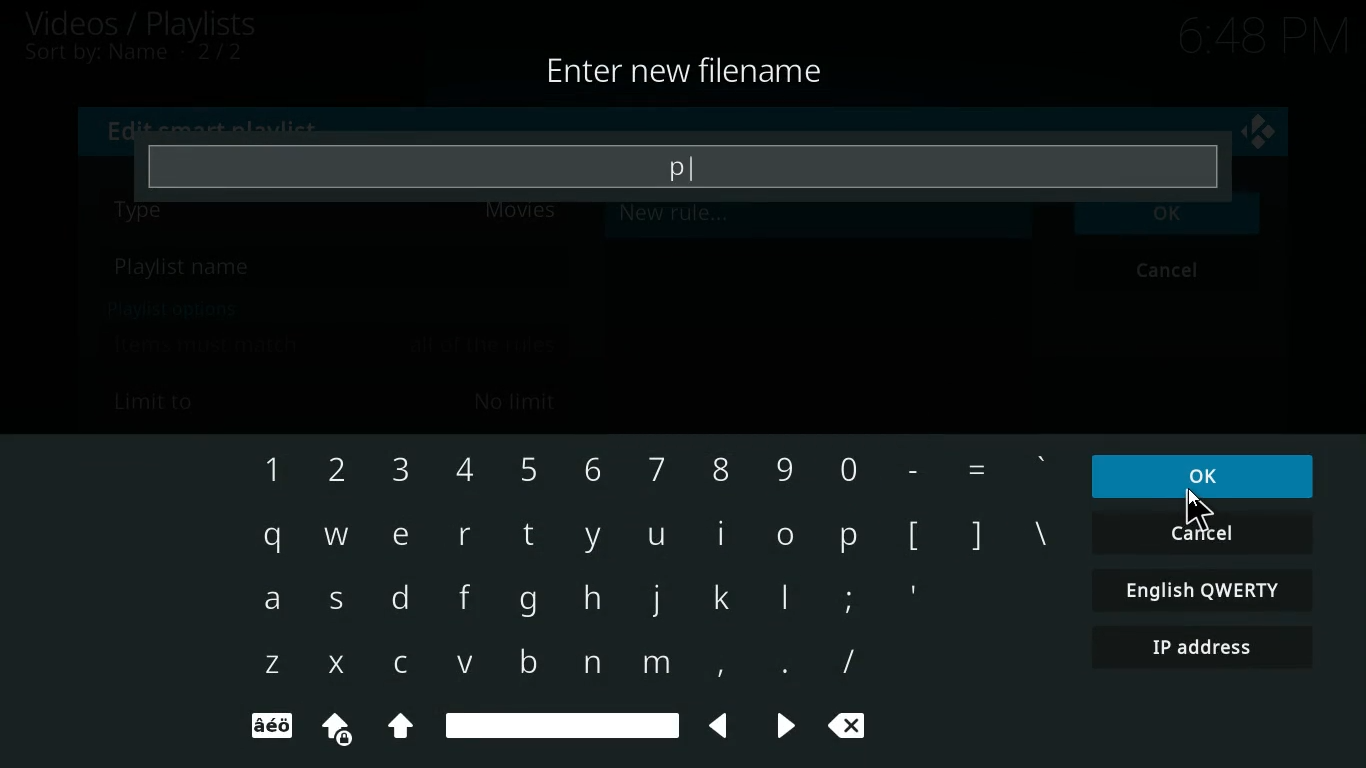  I want to click on z, so click(270, 666).